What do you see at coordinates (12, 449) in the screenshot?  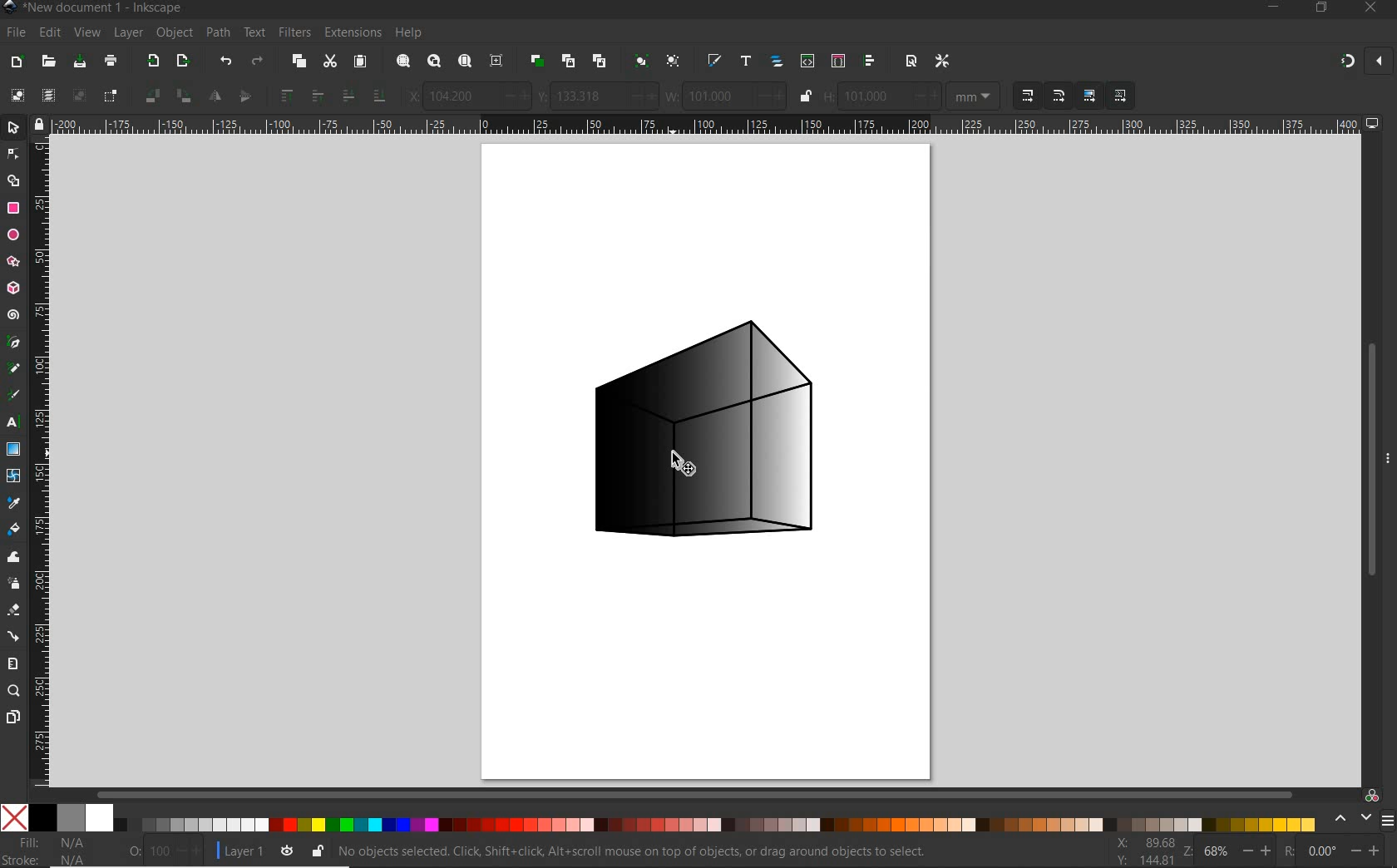 I see `GRADIENT TOOL` at bounding box center [12, 449].